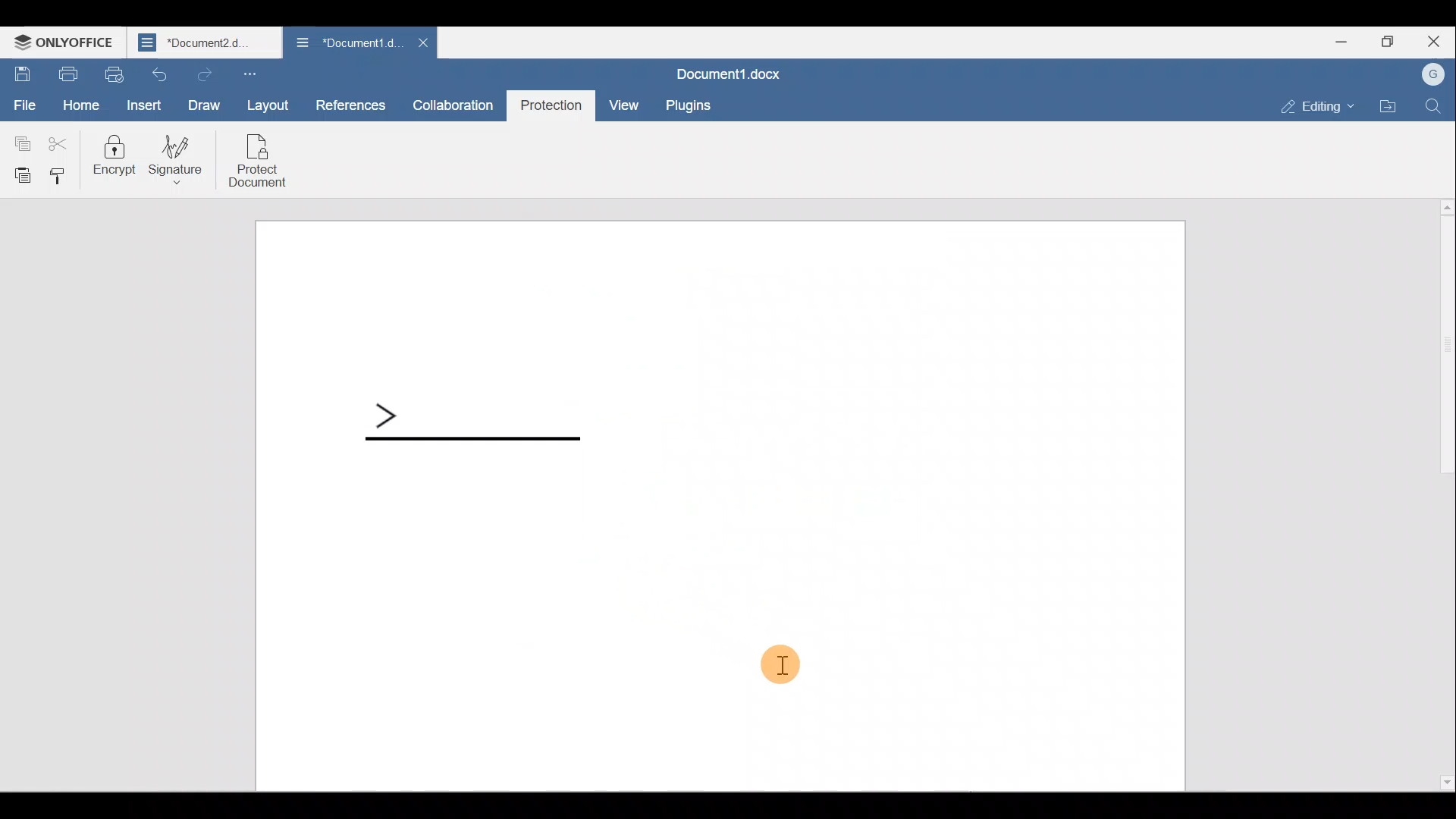  I want to click on Document name, so click(206, 43).